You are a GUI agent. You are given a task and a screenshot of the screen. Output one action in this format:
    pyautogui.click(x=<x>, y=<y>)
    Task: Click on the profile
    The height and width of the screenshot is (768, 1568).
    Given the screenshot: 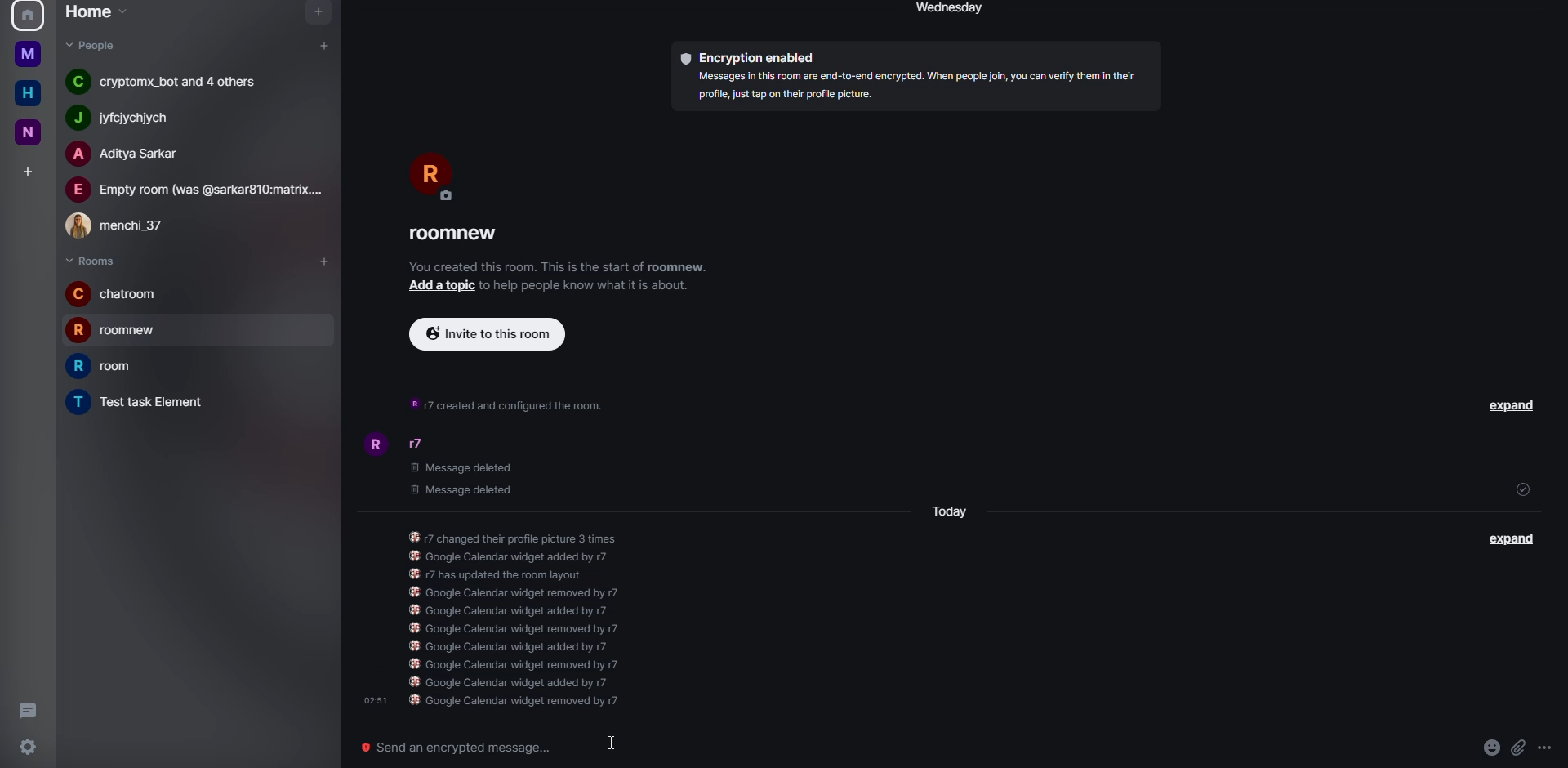 What is the action you would take?
    pyautogui.click(x=431, y=176)
    